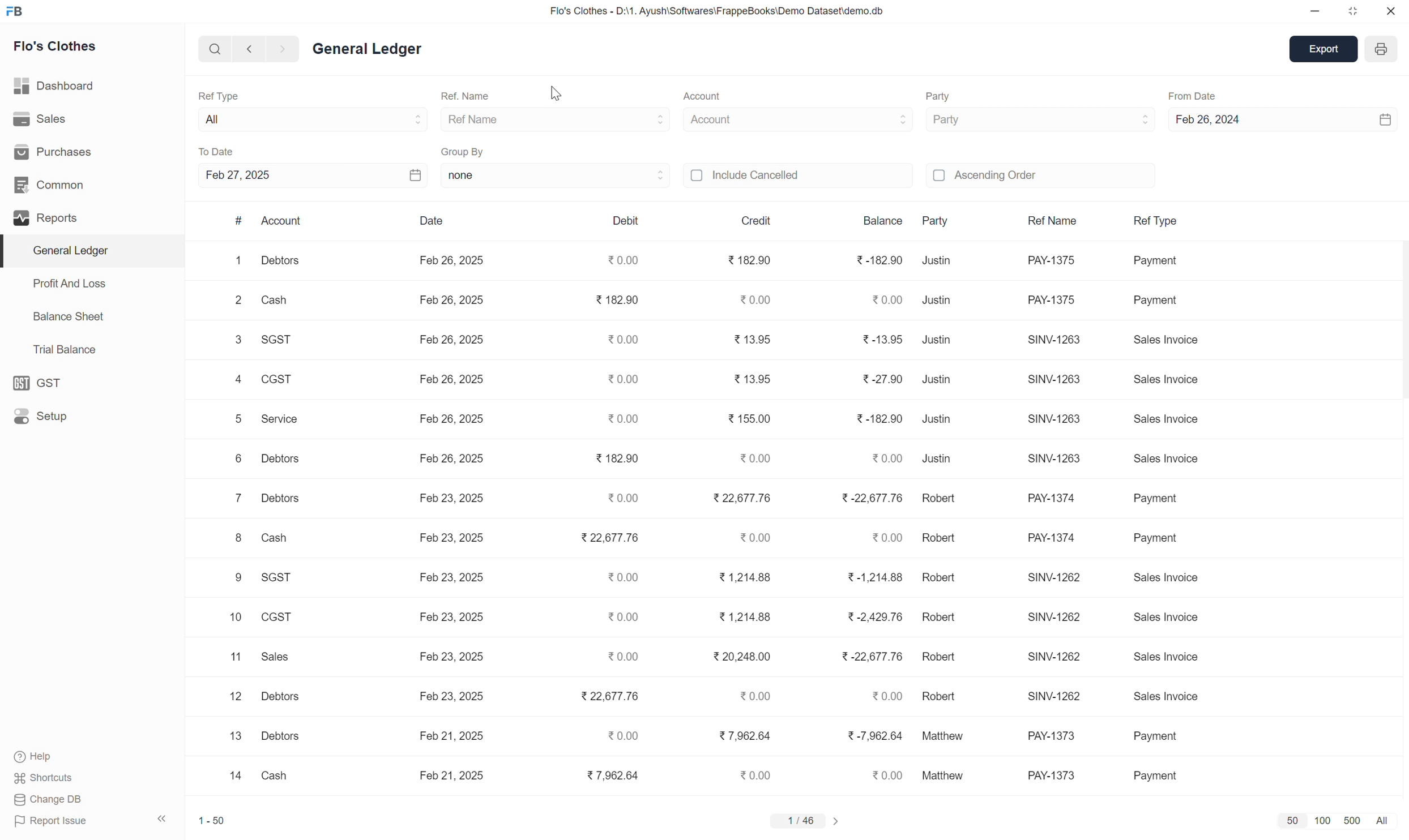 Image resolution: width=1409 pixels, height=840 pixels. What do you see at coordinates (1155, 302) in the screenshot?
I see `payment` at bounding box center [1155, 302].